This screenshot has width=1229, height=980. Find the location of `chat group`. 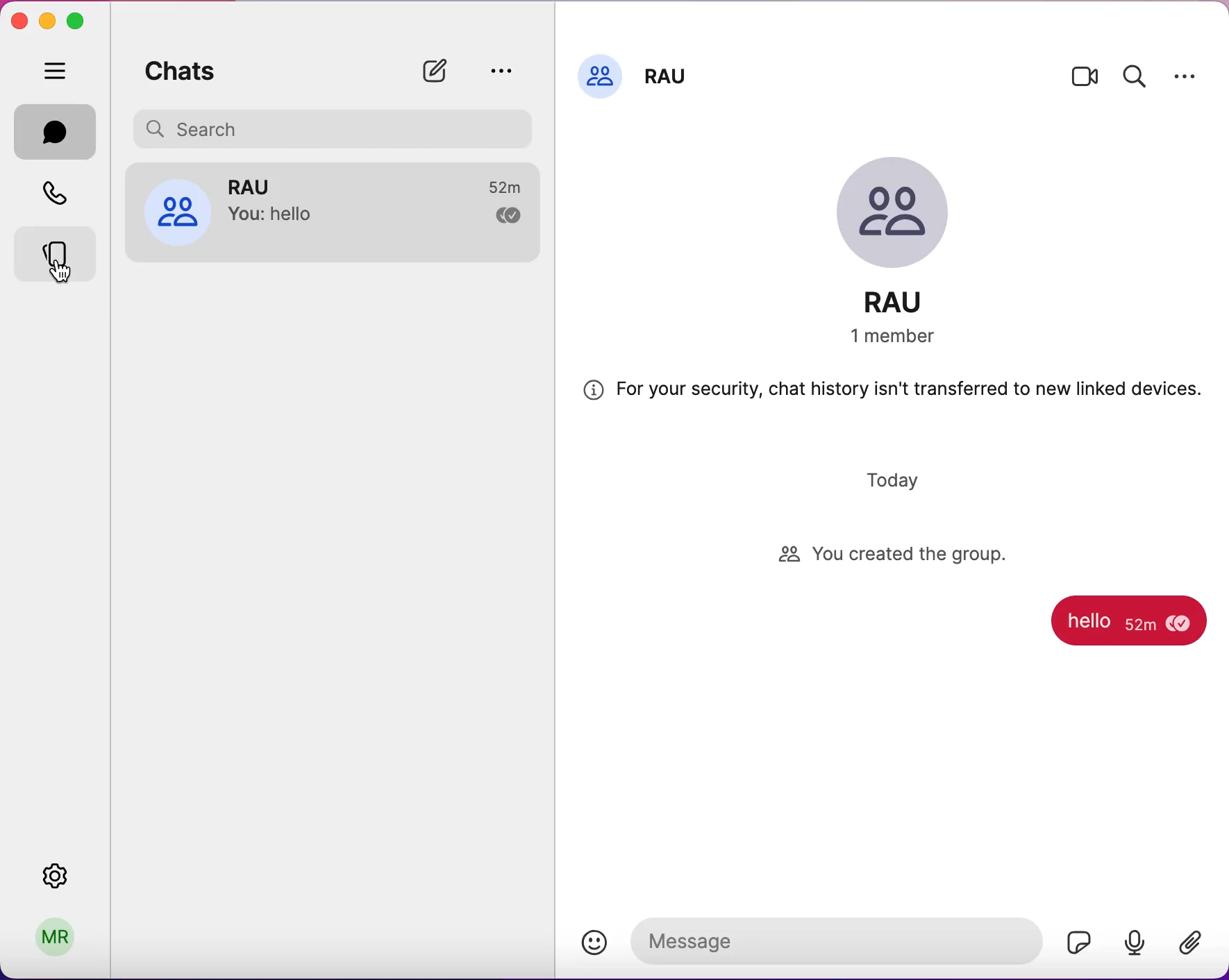

chat group is located at coordinates (274, 209).